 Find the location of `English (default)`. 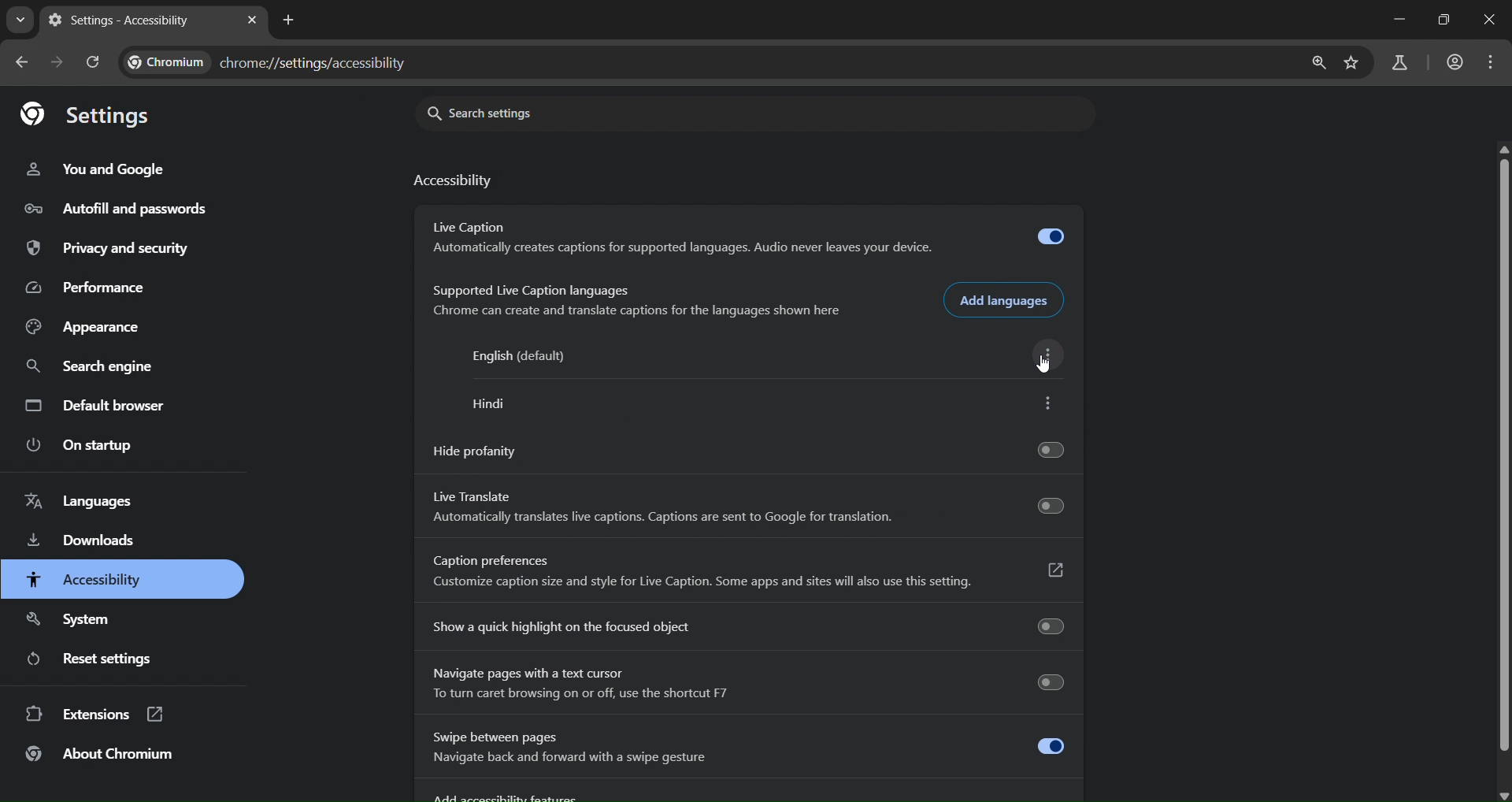

English (default) is located at coordinates (518, 354).